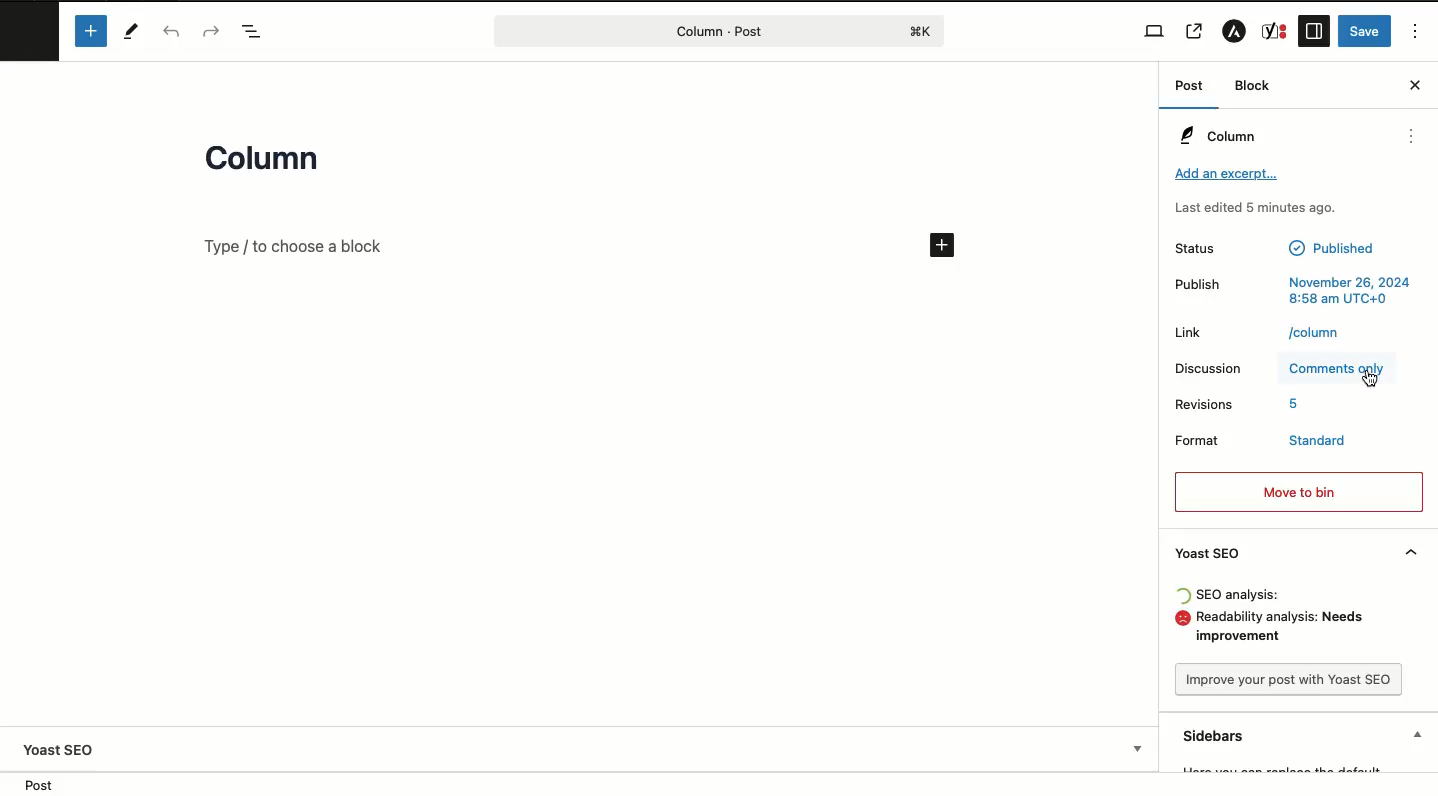  I want to click on command+K, so click(922, 32).